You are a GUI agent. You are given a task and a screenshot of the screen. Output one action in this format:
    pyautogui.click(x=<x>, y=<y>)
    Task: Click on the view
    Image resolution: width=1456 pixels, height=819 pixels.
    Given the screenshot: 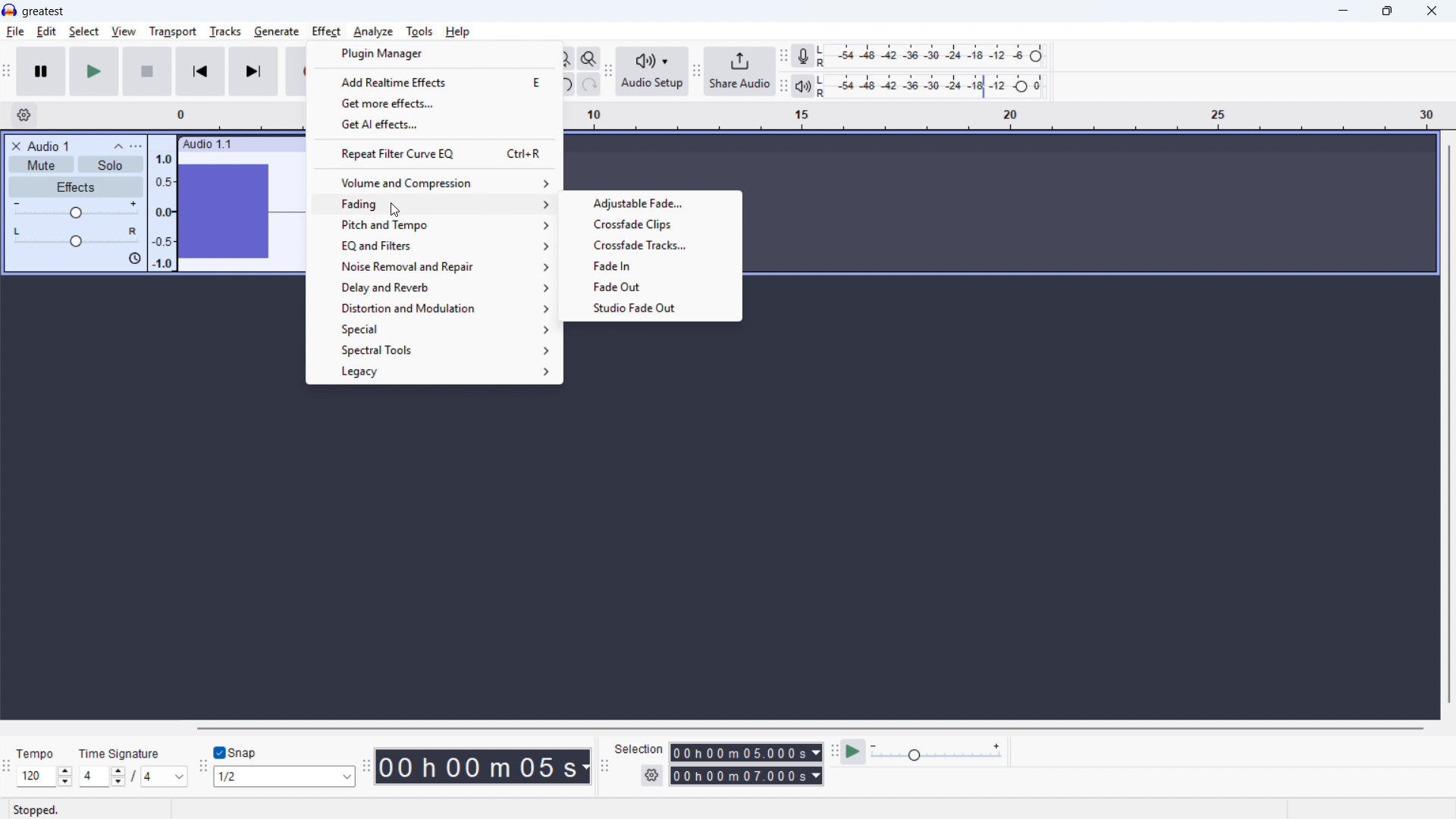 What is the action you would take?
    pyautogui.click(x=124, y=33)
    